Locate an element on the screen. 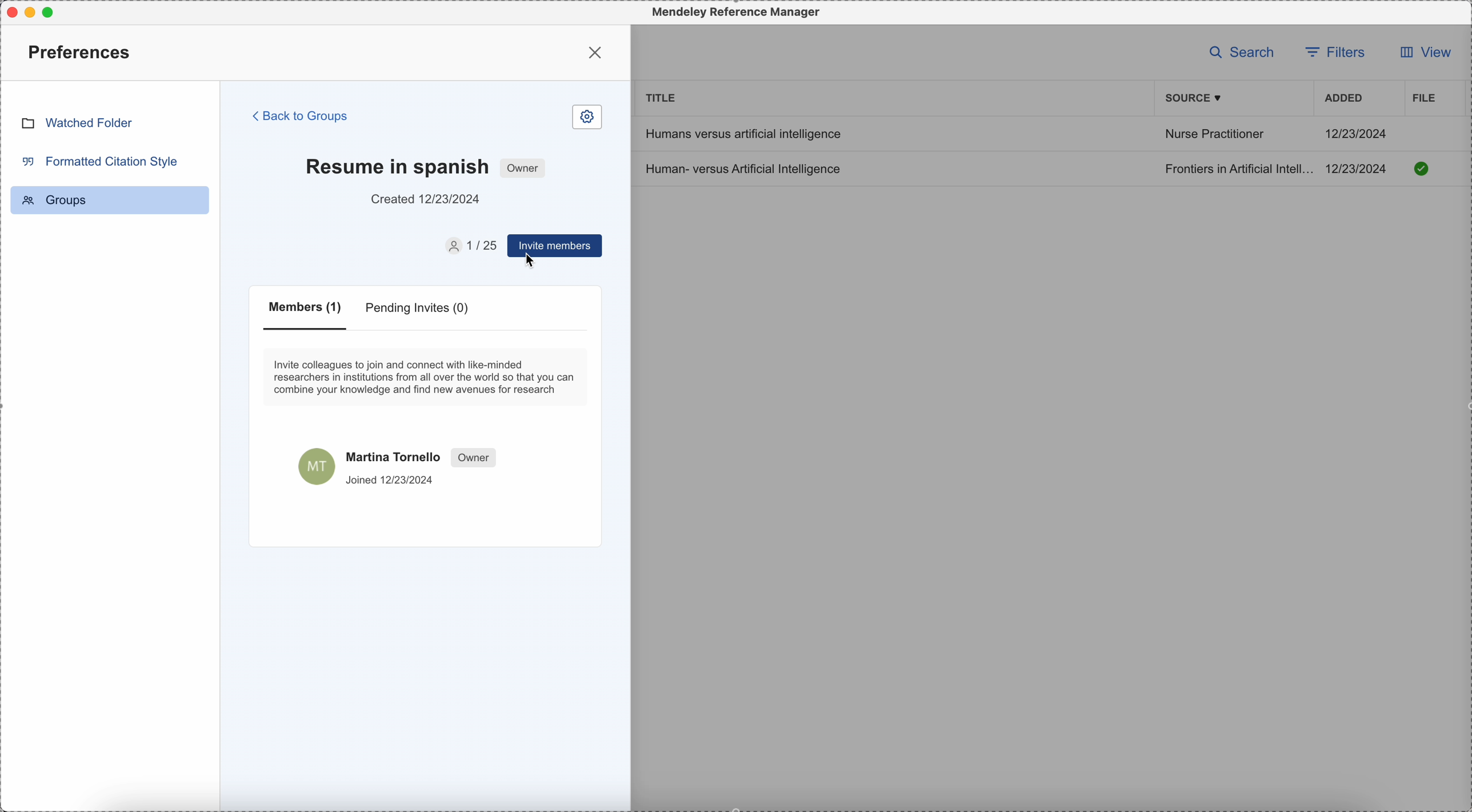 The height and width of the screenshot is (812, 1472). preferences is located at coordinates (82, 51).